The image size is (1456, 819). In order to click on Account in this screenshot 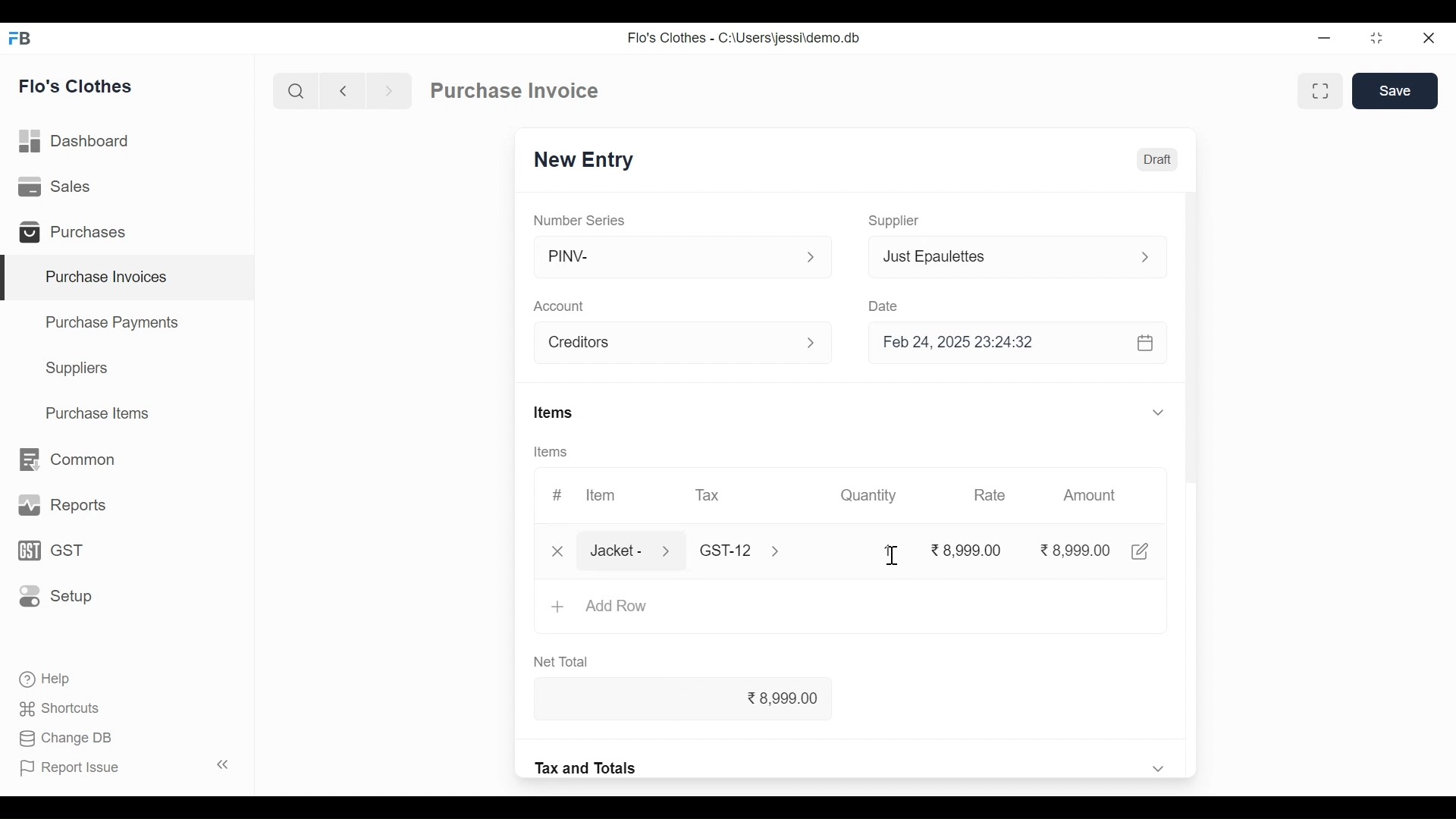, I will do `click(560, 306)`.